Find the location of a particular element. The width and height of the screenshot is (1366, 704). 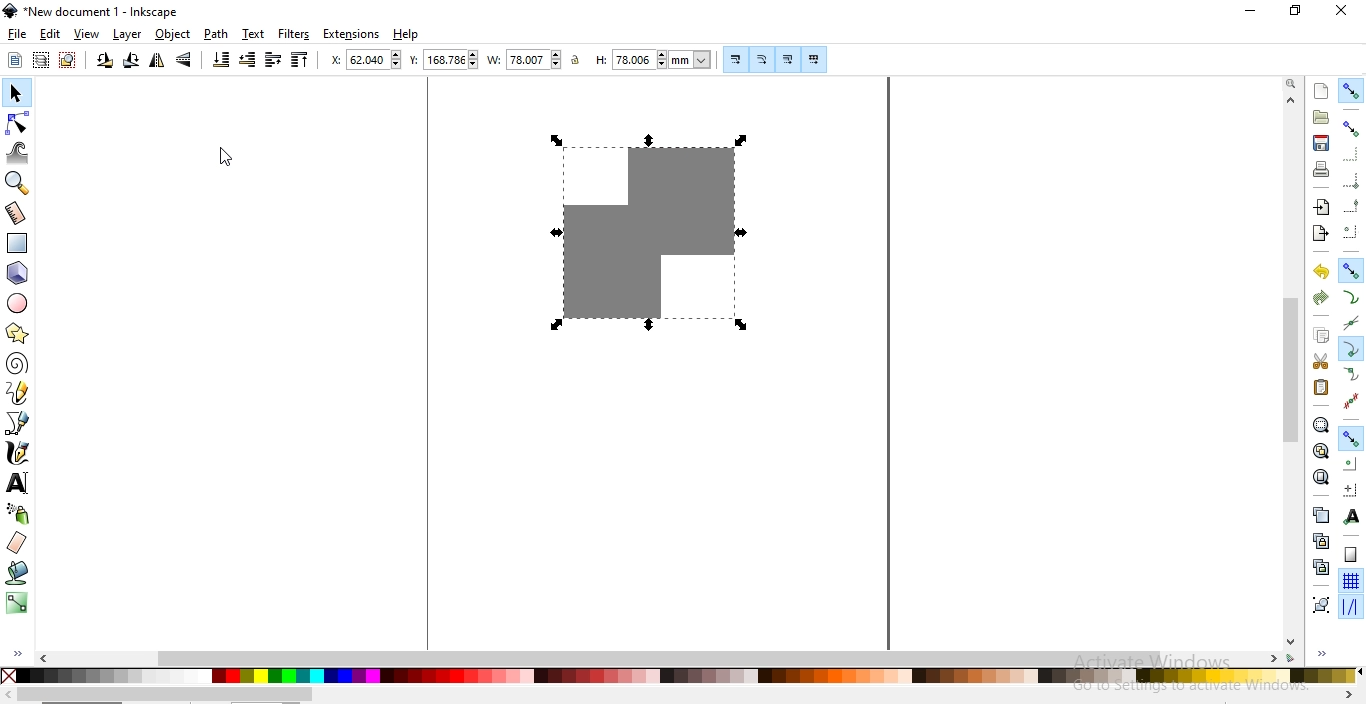

create and edit gradient lines is located at coordinates (15, 601).